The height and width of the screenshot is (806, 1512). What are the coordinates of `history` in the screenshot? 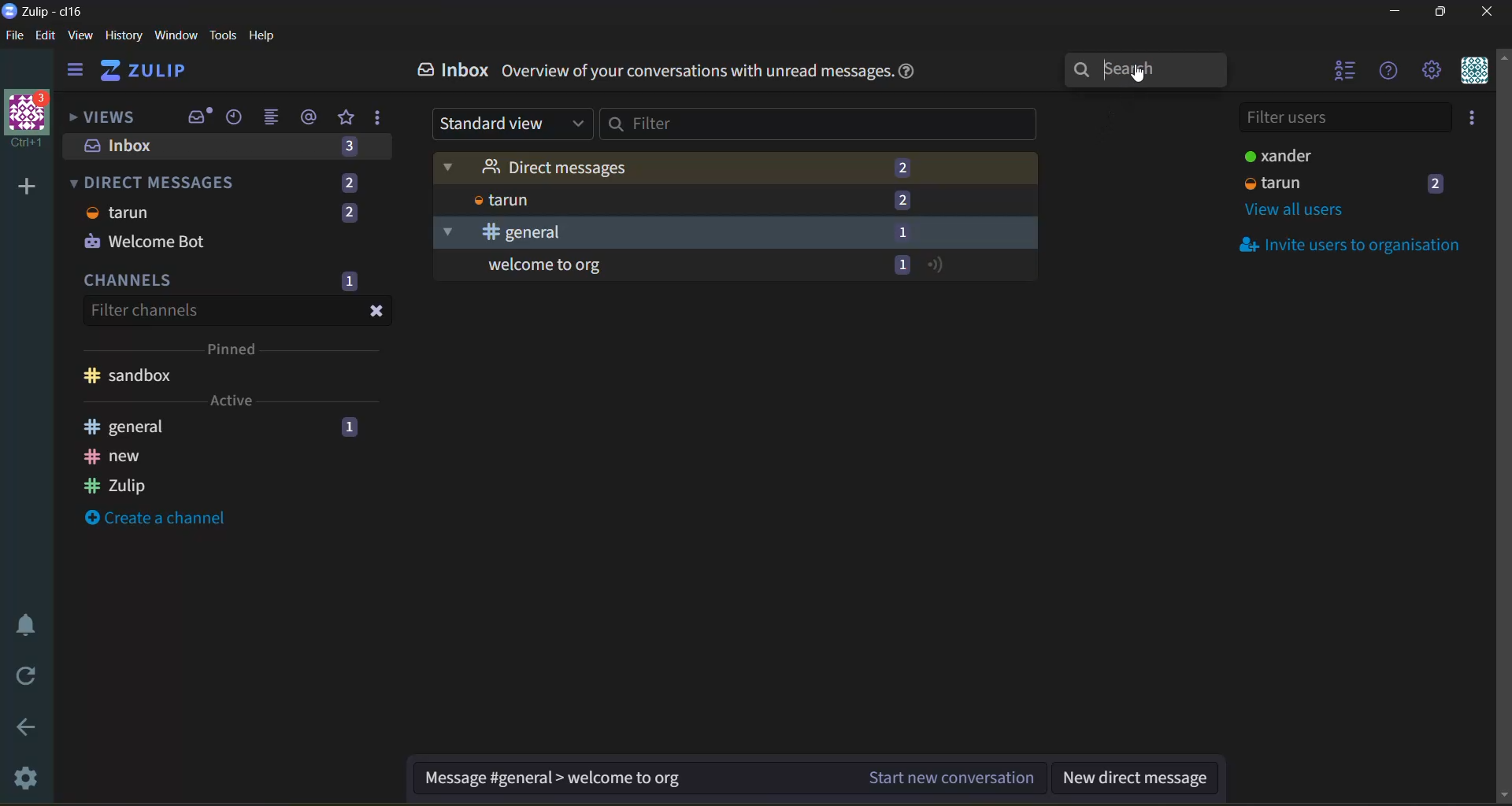 It's located at (124, 35).